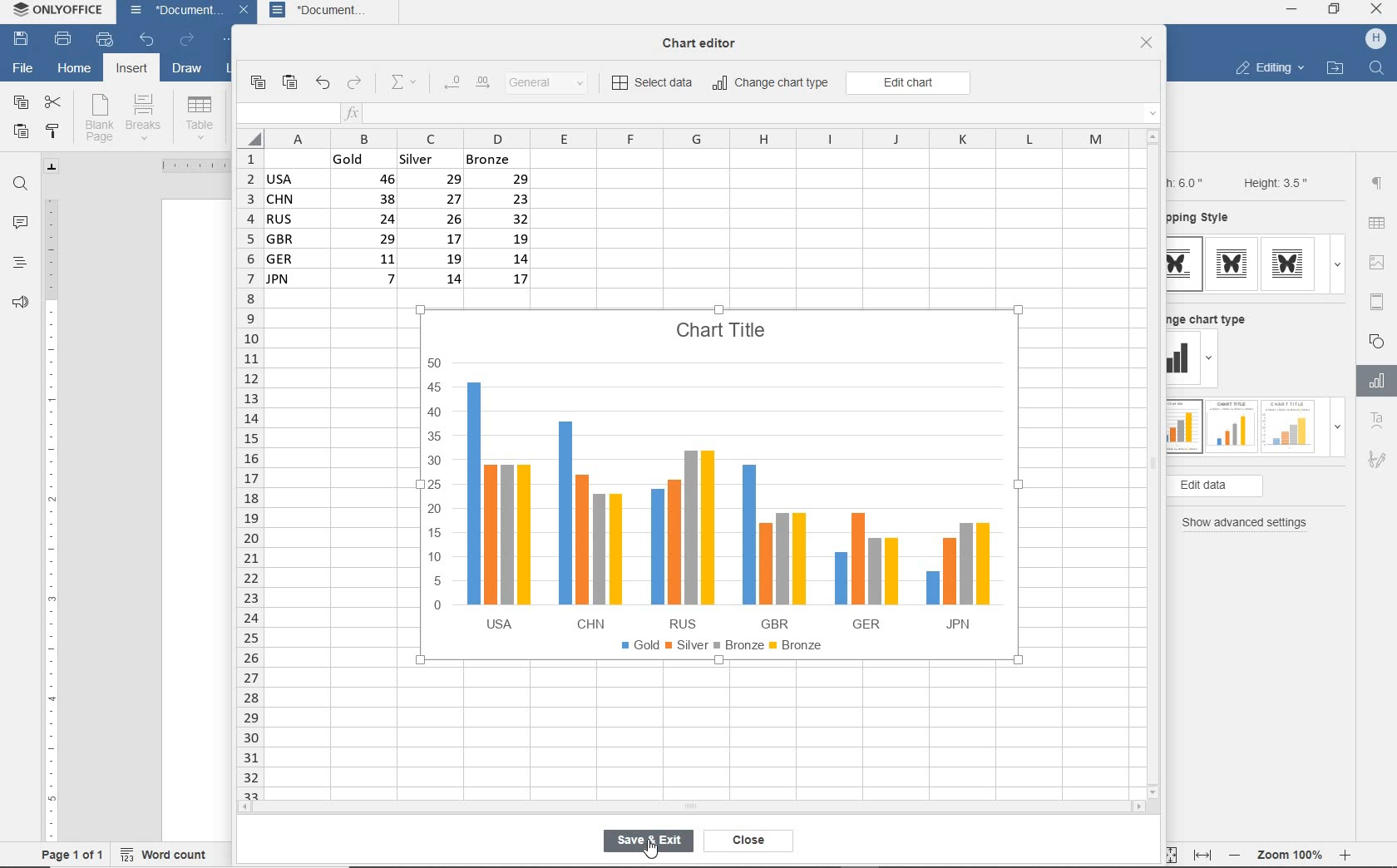 This screenshot has height=868, width=1397. Describe the element at coordinates (706, 44) in the screenshot. I see `chat editor` at that location.